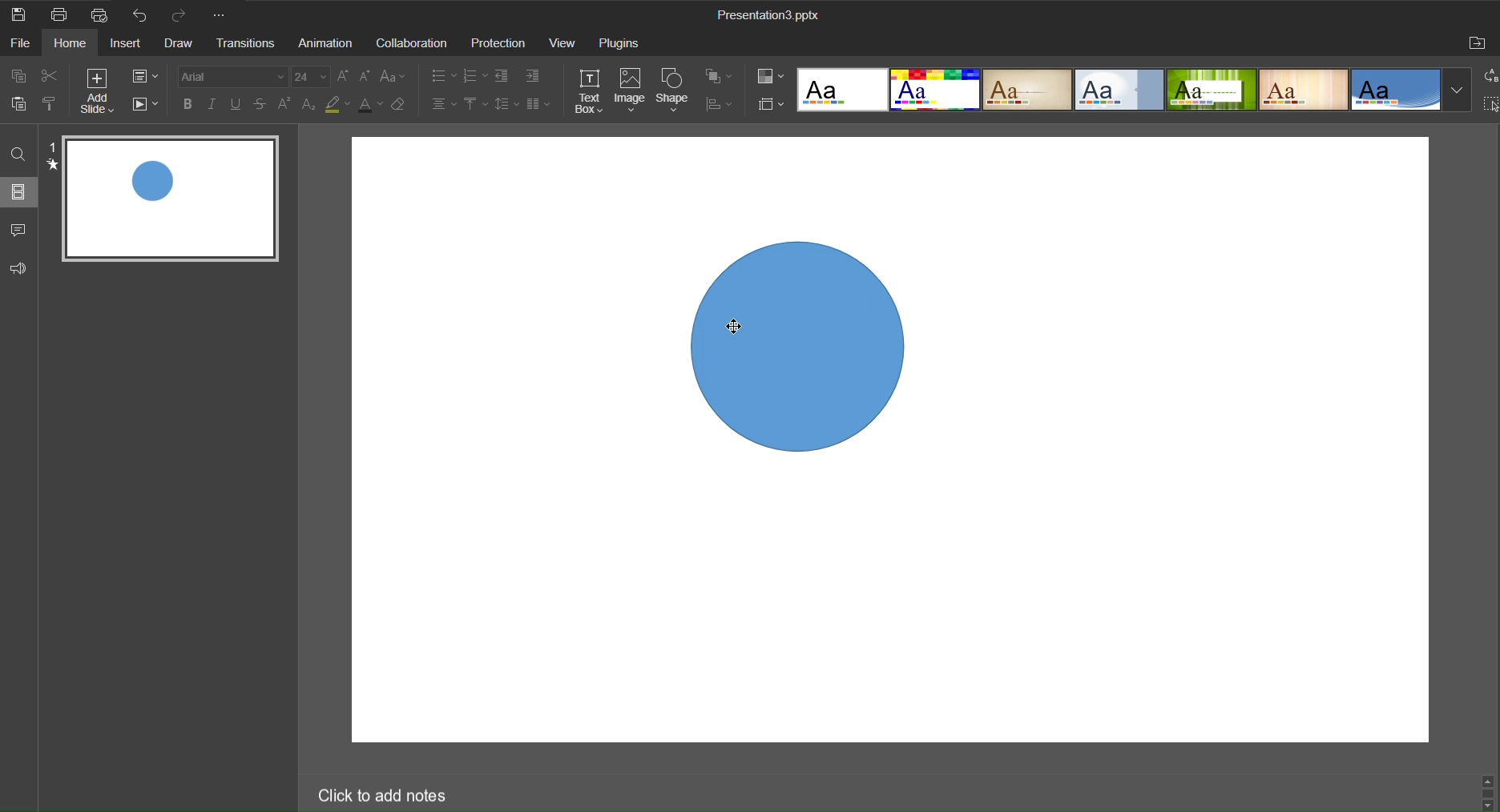 This screenshot has width=1500, height=812. What do you see at coordinates (129, 43) in the screenshot?
I see `Insert` at bounding box center [129, 43].